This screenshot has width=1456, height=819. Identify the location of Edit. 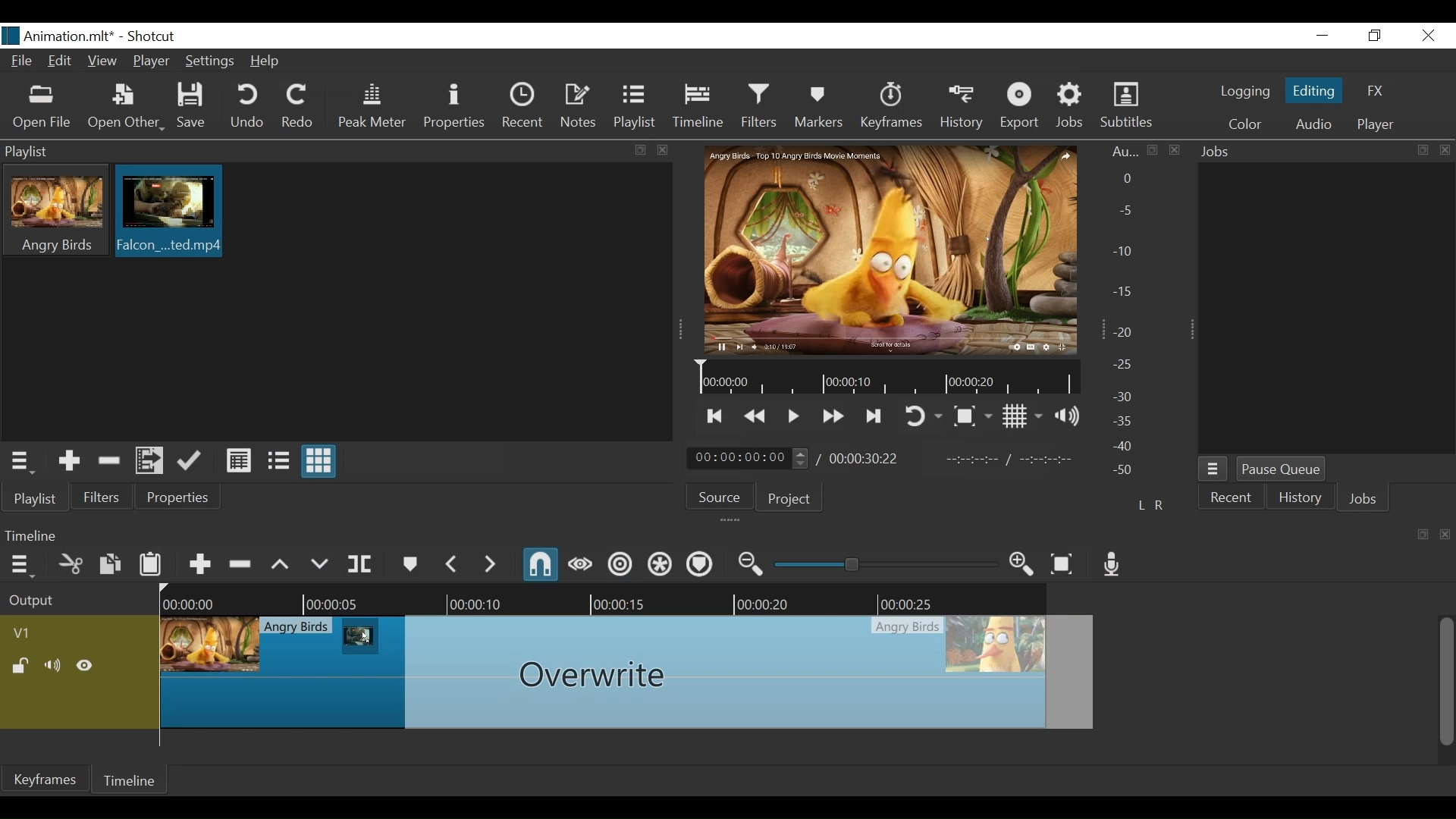
(61, 61).